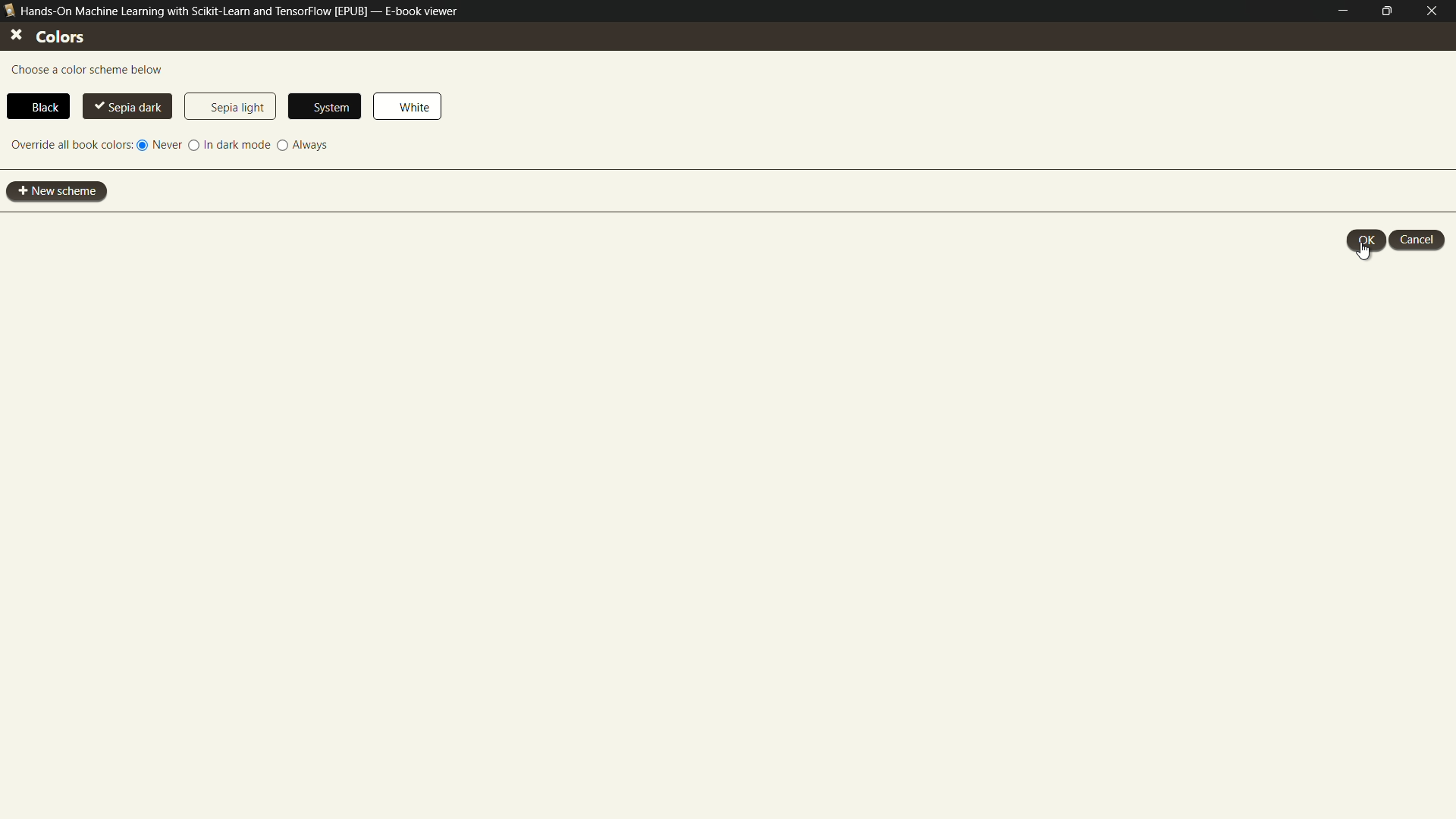  I want to click on system, so click(324, 106).